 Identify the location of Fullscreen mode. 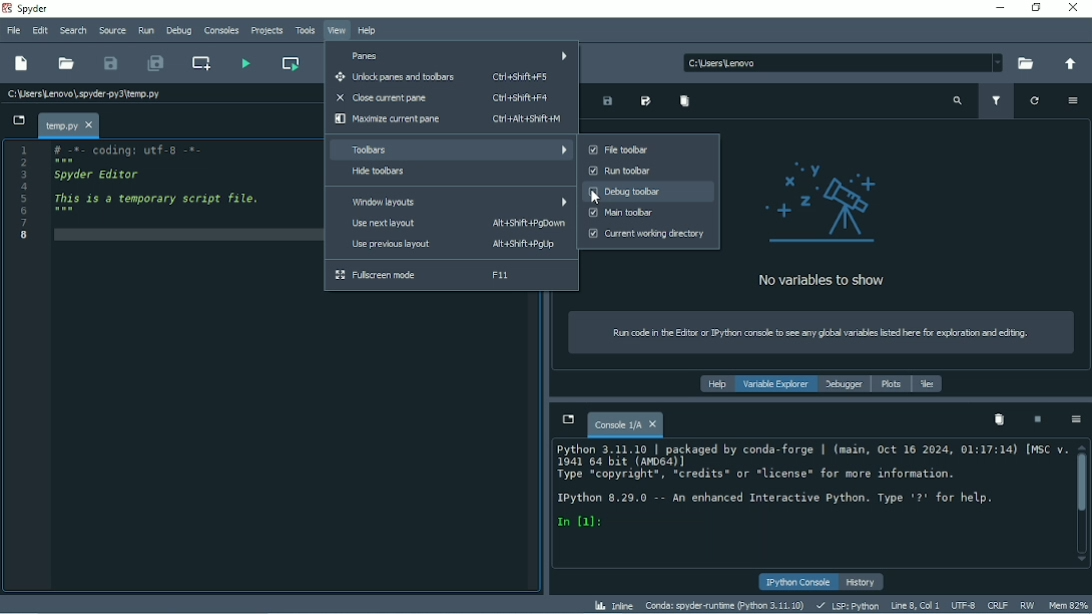
(450, 275).